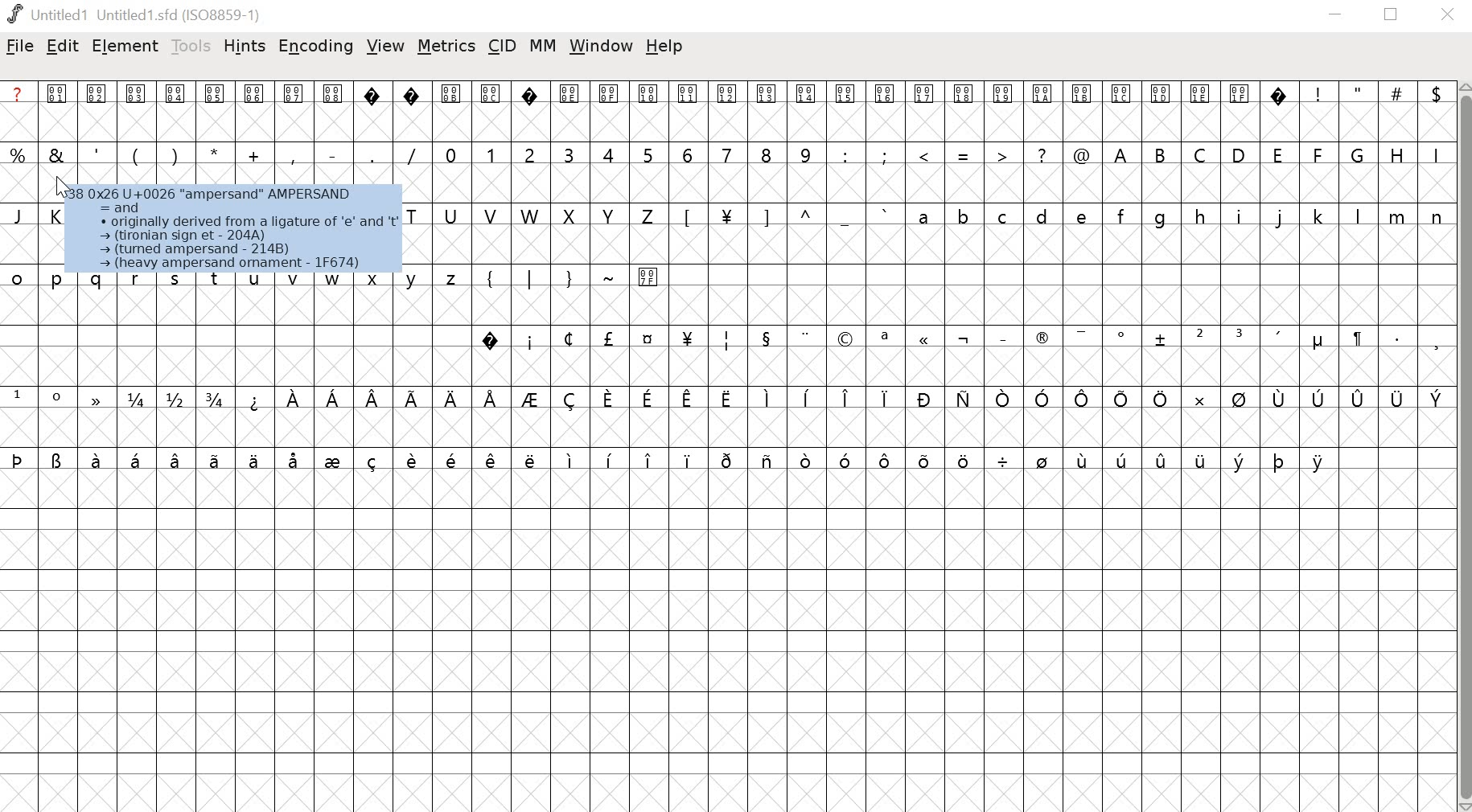 The height and width of the screenshot is (812, 1472). I want to click on *, so click(215, 154).